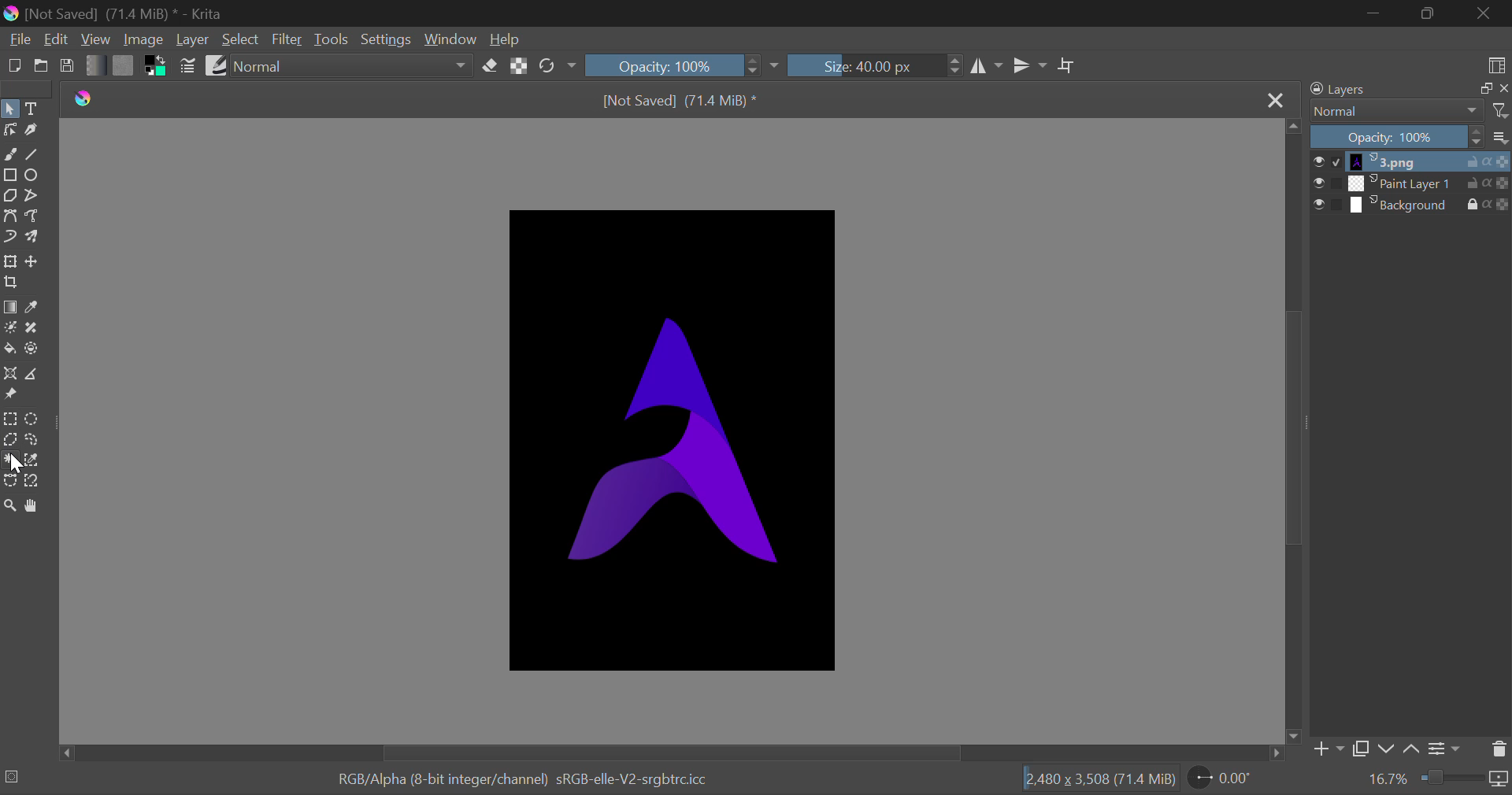 This screenshot has height=795, width=1512. I want to click on actions, so click(1488, 204).